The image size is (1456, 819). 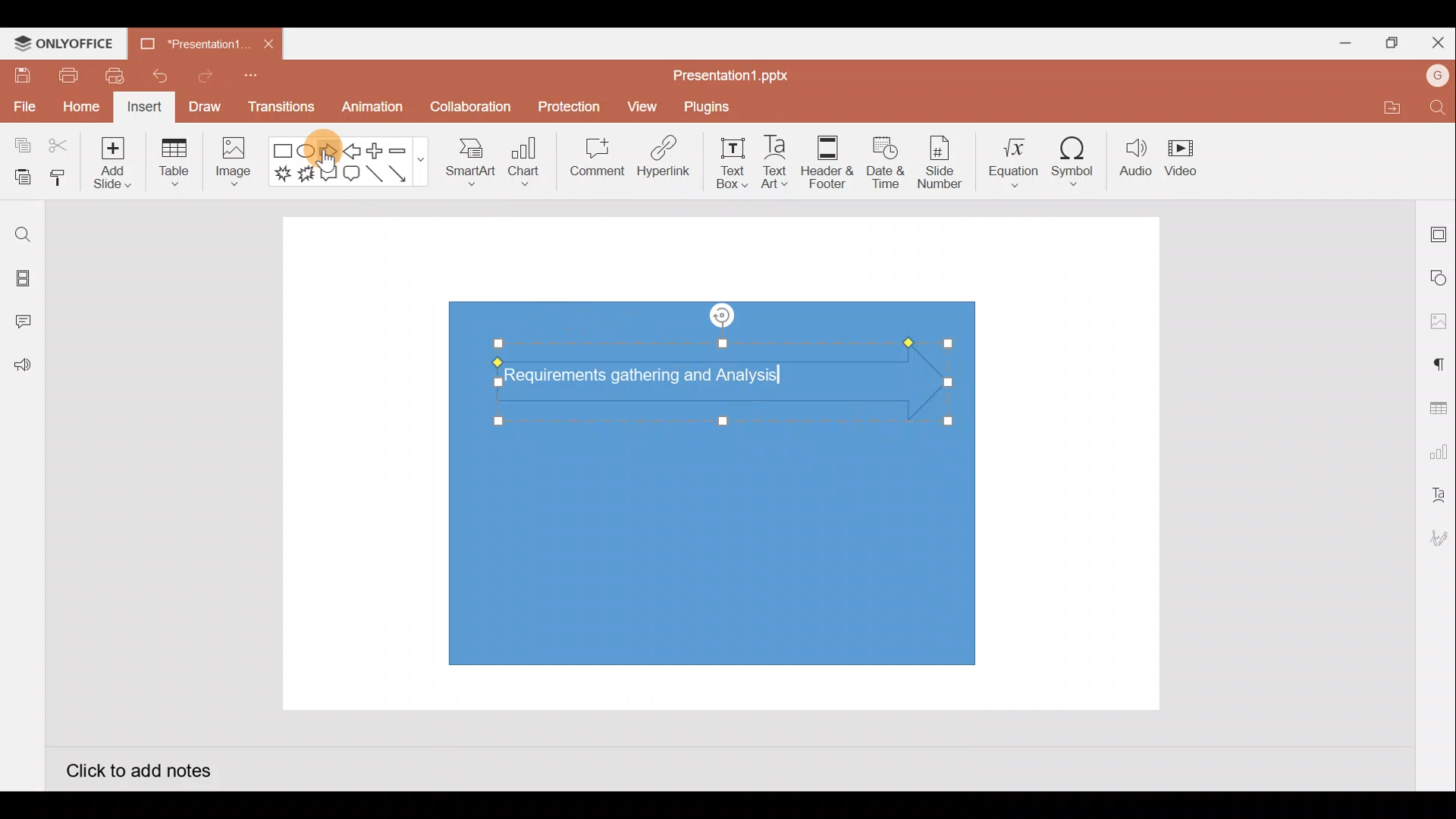 I want to click on File, so click(x=23, y=104).